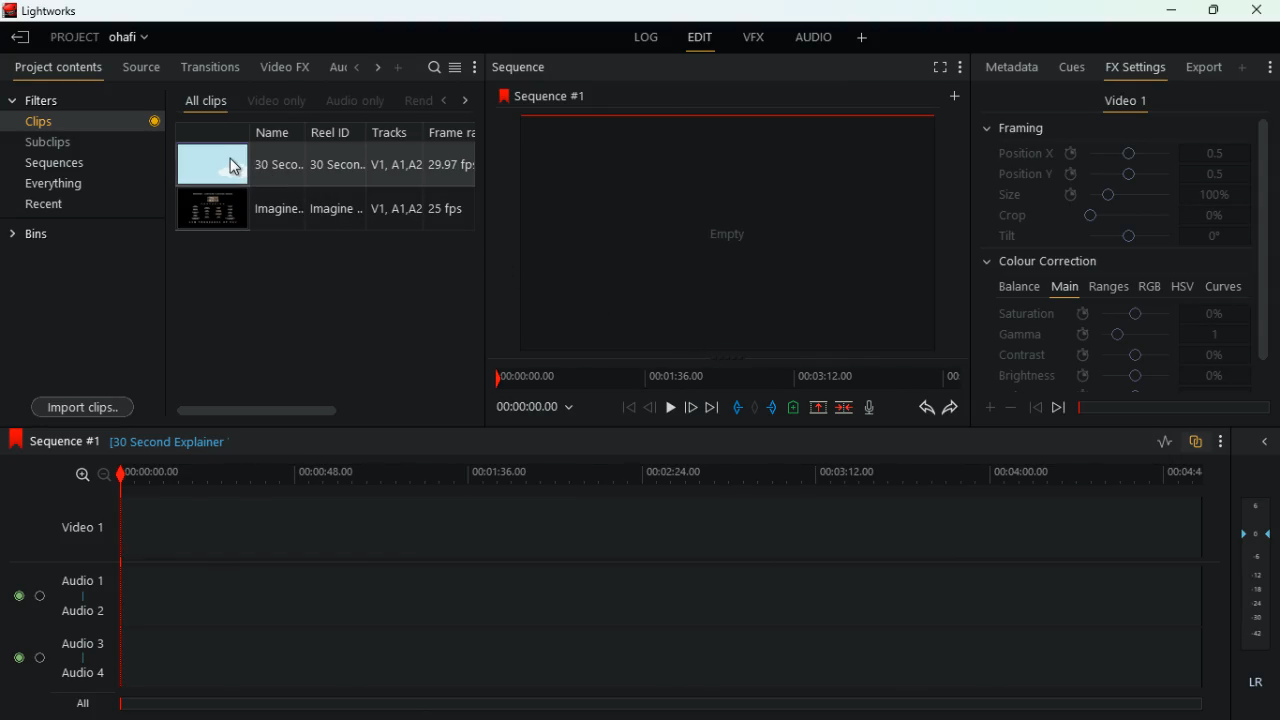  I want to click on bins, so click(33, 237).